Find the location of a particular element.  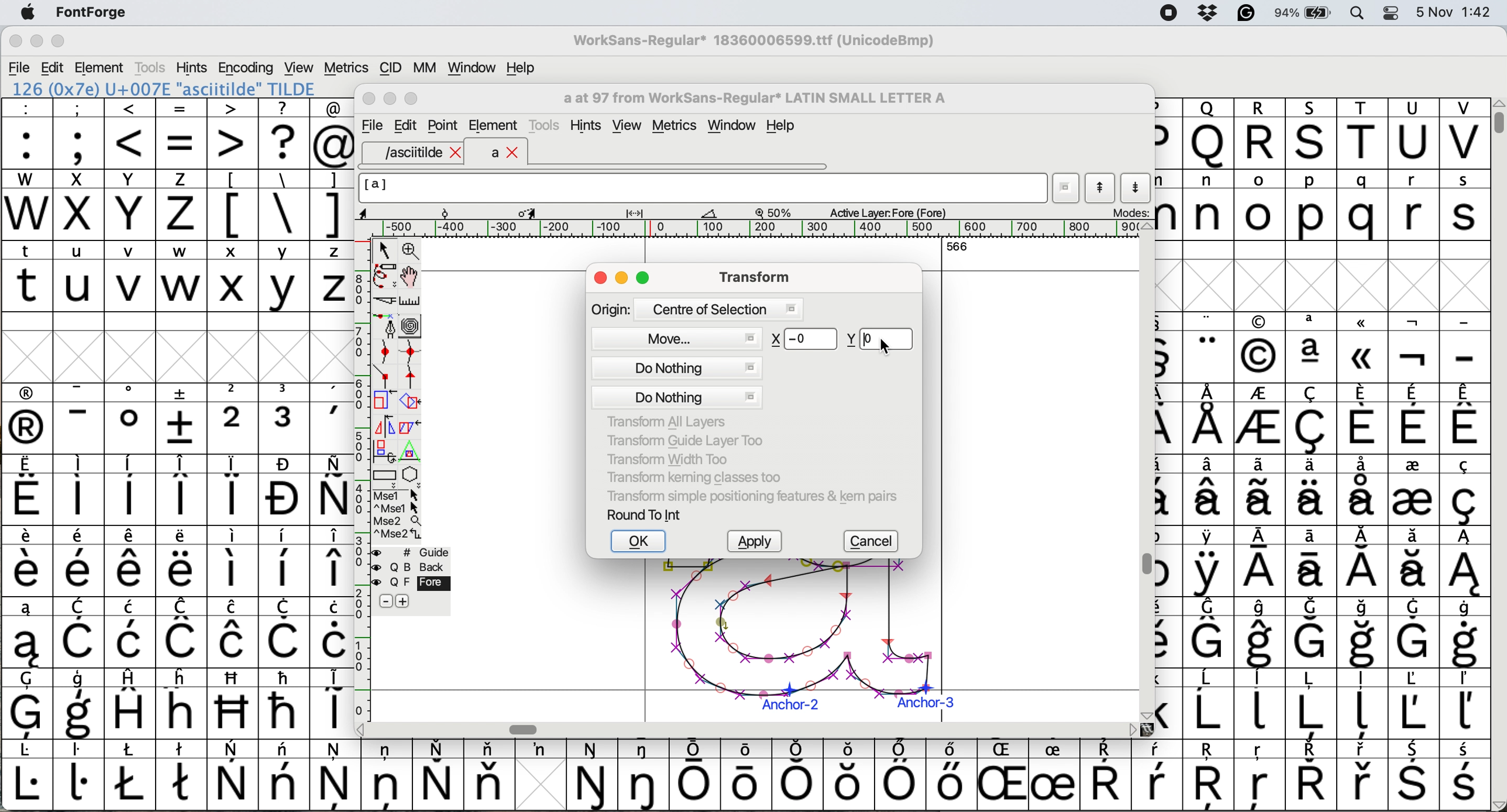

guide is located at coordinates (418, 550).